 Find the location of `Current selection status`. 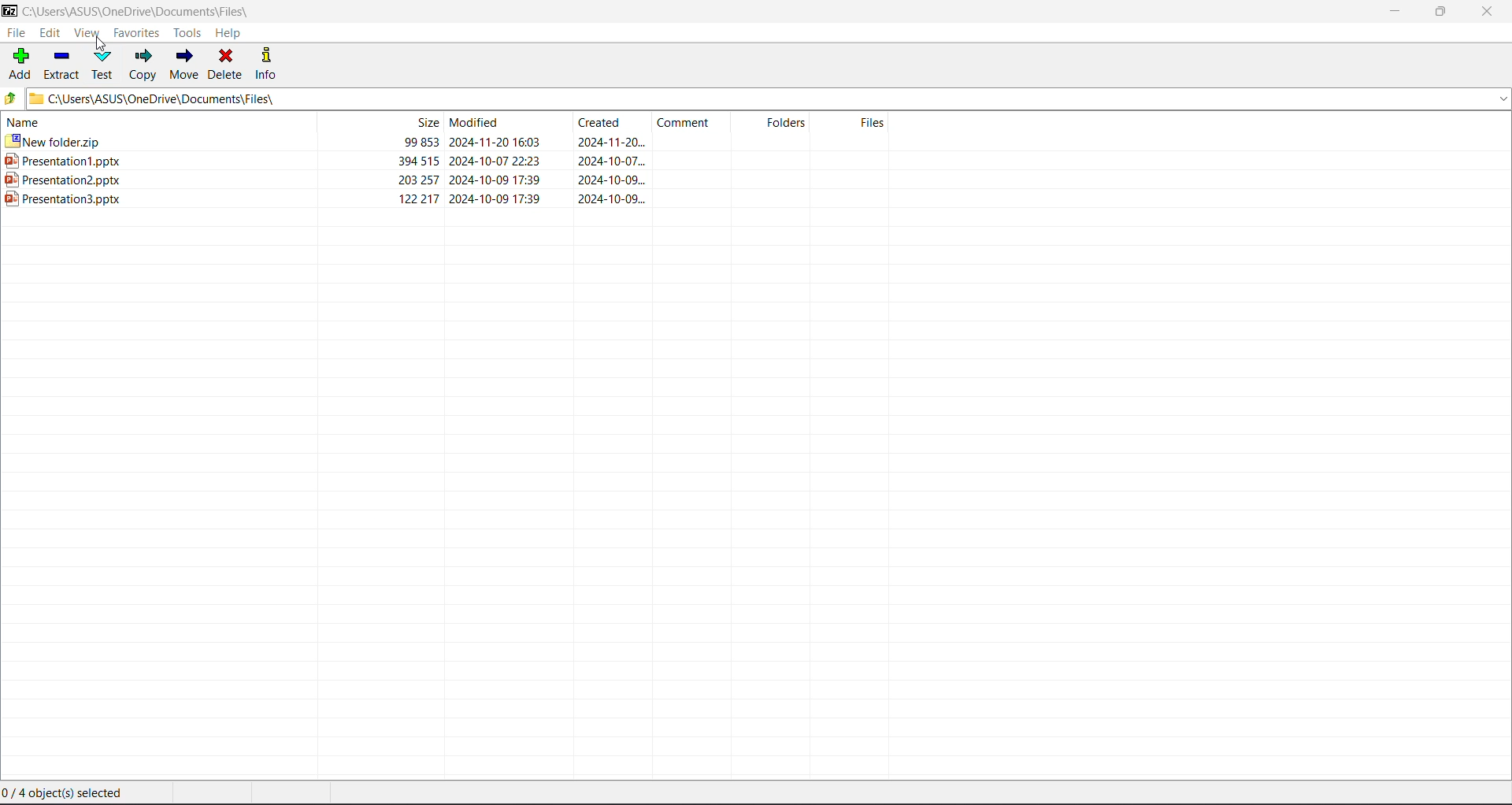

Current selection status is located at coordinates (65, 793).